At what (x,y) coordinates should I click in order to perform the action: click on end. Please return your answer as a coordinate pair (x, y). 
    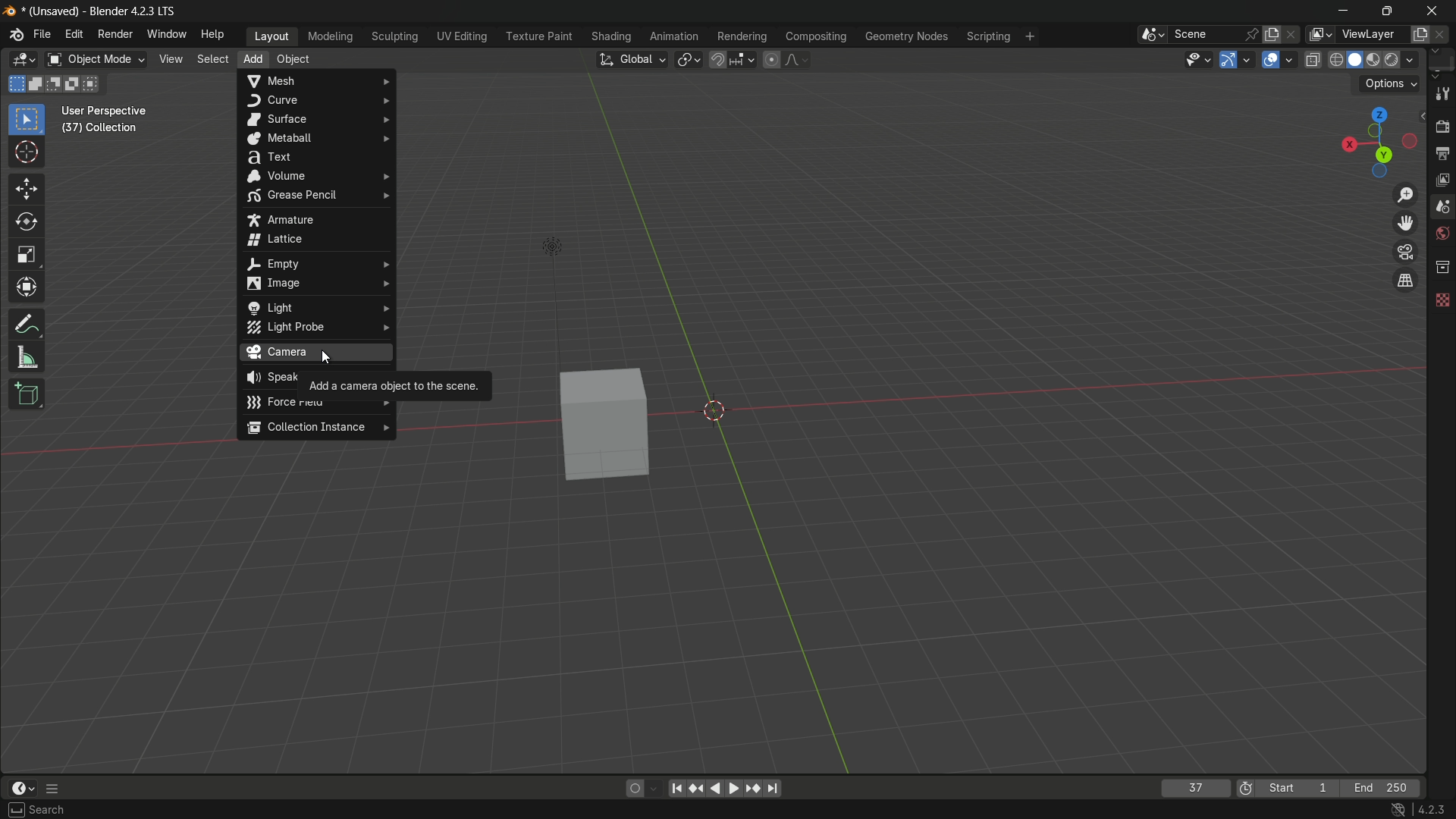
    Looking at the image, I should click on (1385, 789).